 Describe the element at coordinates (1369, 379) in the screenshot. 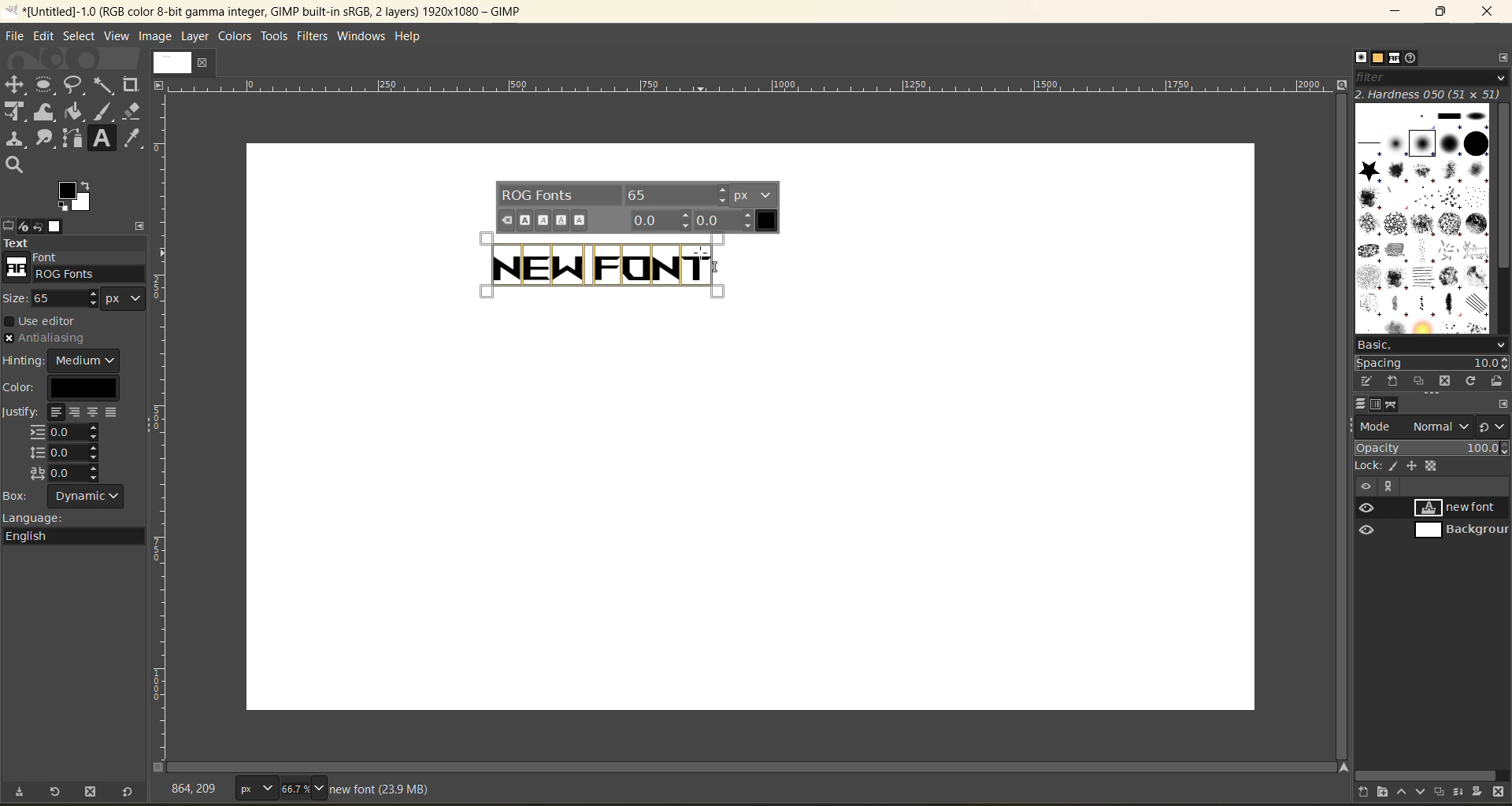

I see `edit this brush` at that location.